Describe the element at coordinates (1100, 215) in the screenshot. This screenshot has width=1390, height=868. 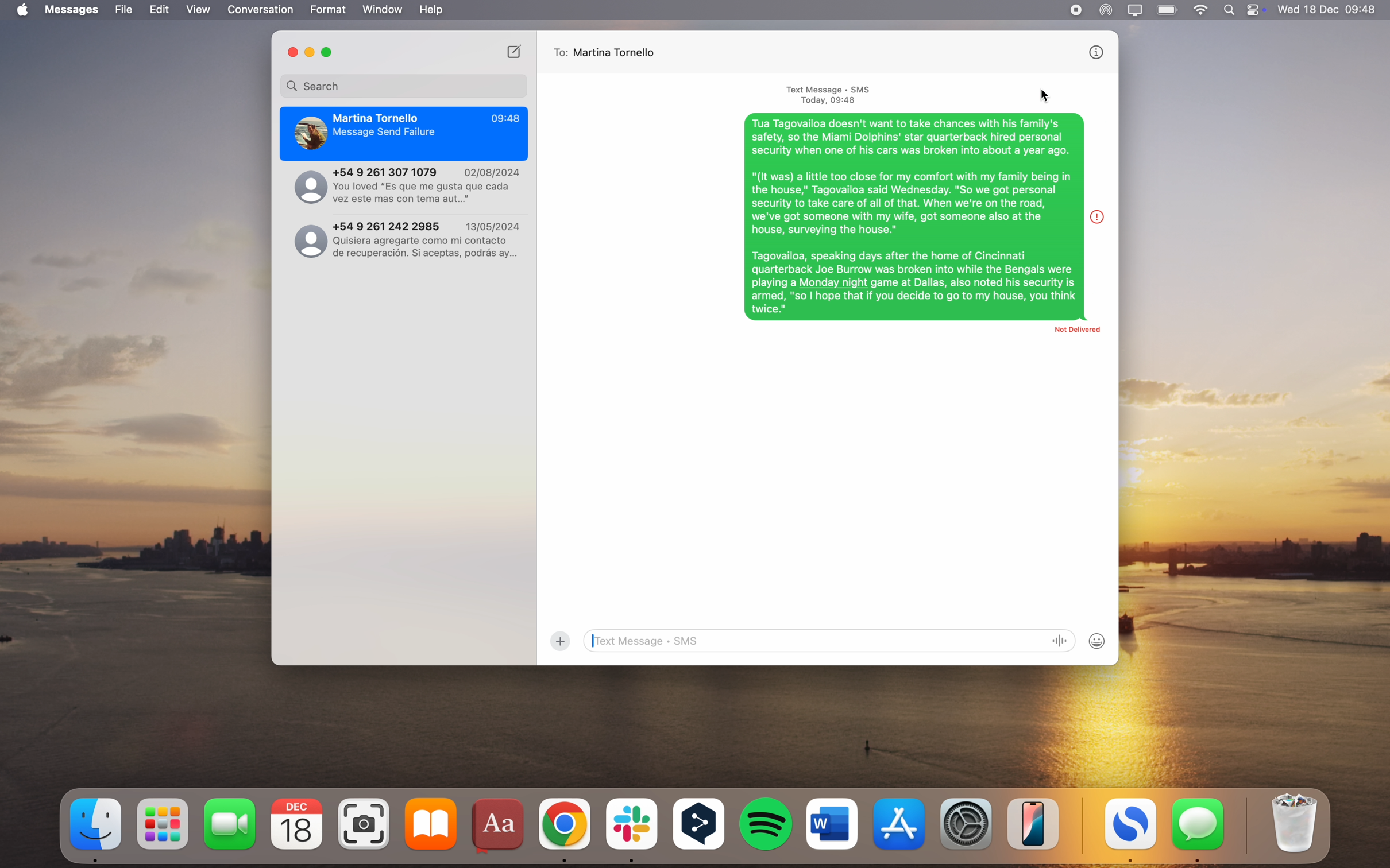
I see `message info` at that location.